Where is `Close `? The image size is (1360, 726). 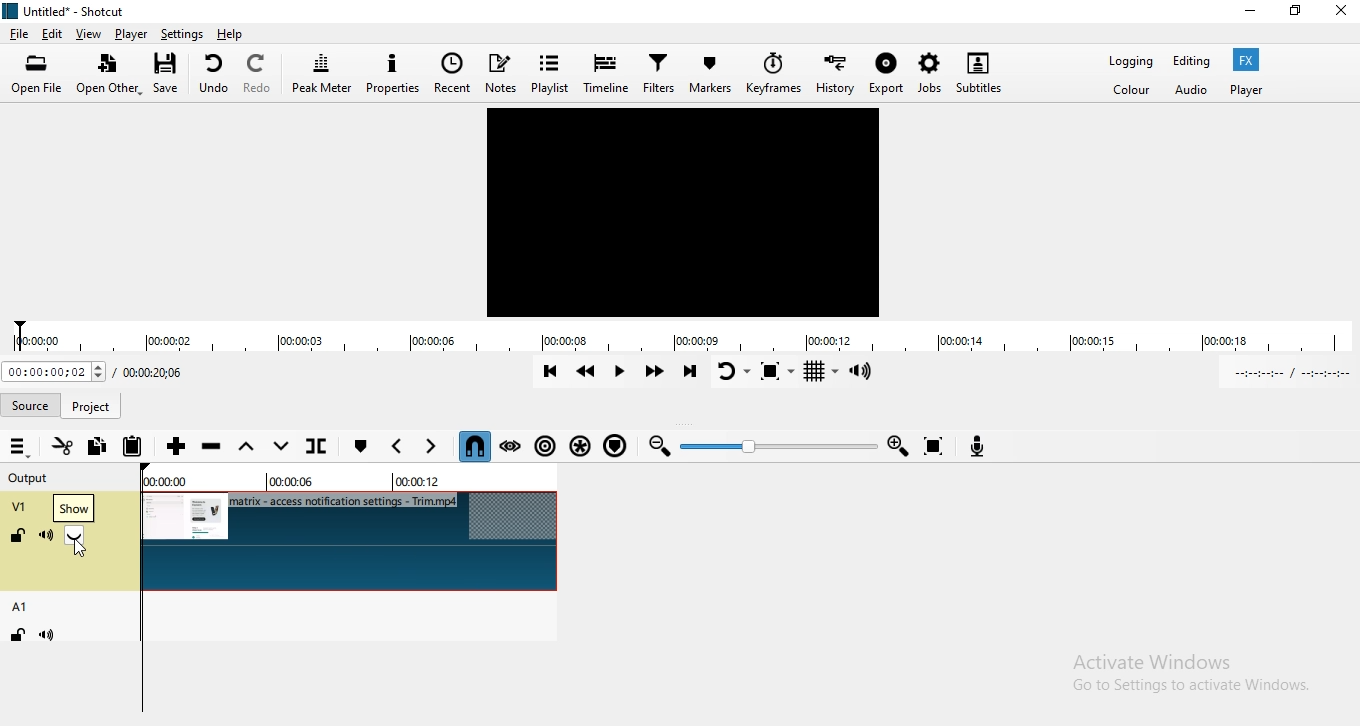 Close  is located at coordinates (1340, 16).